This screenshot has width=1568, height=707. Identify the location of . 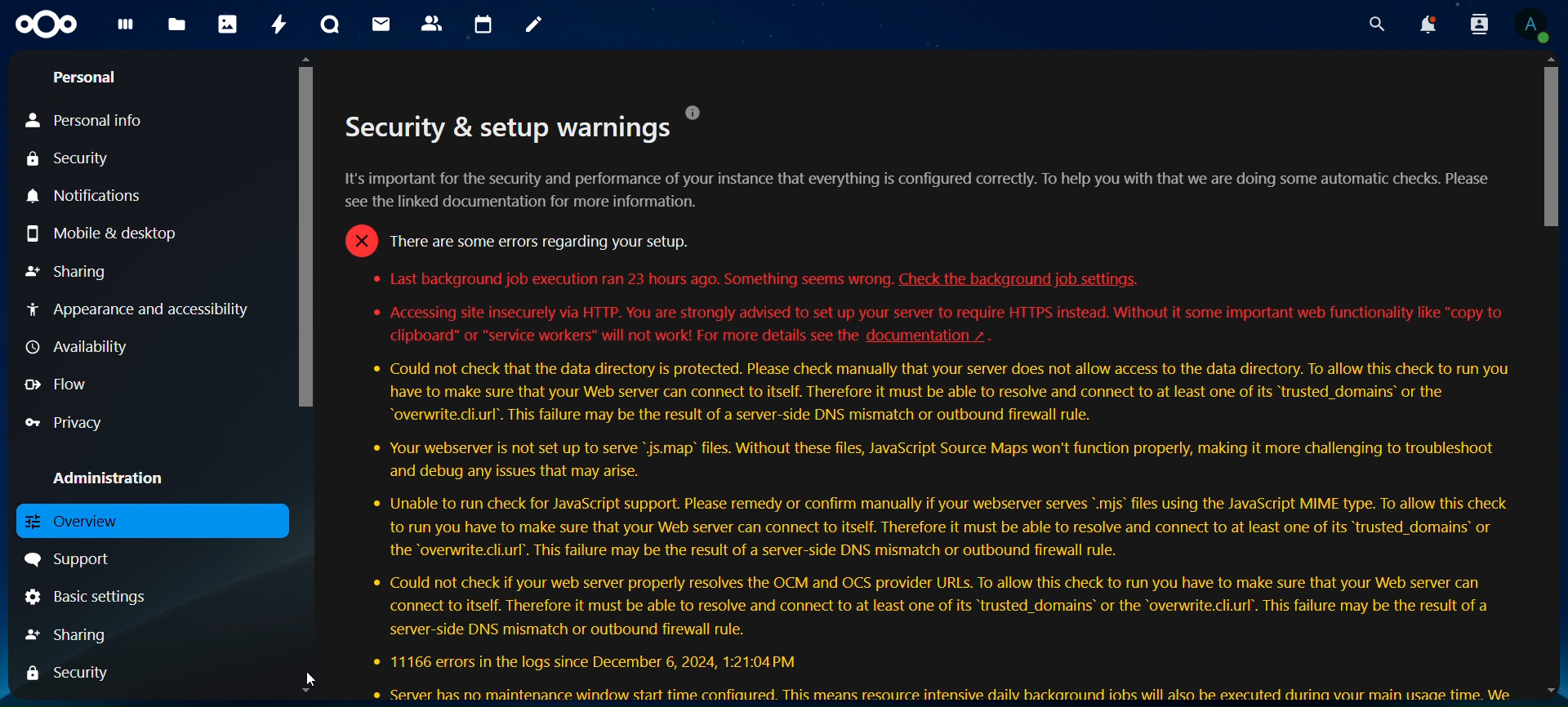
(69, 273).